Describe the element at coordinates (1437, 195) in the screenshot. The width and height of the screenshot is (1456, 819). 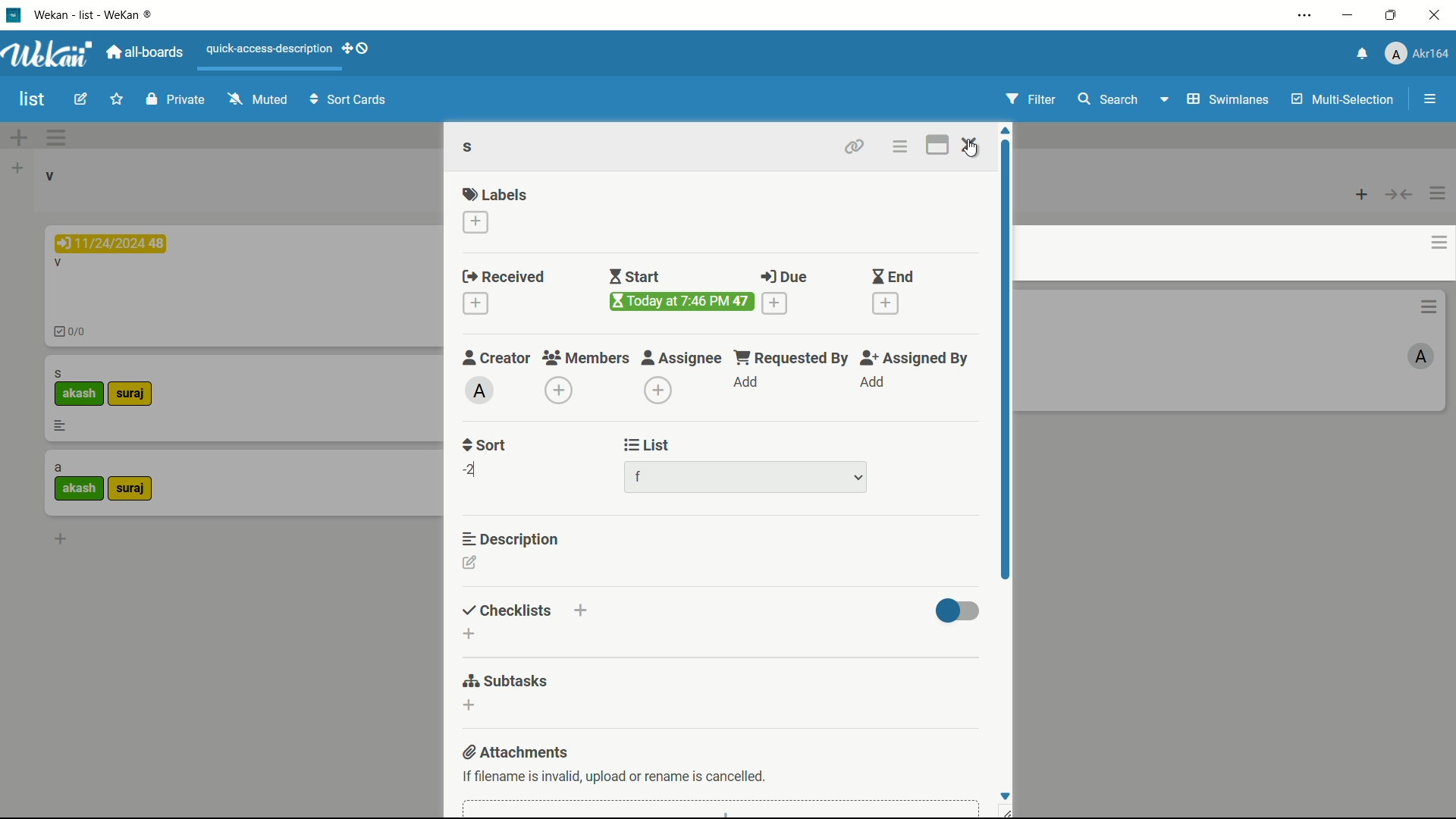
I see `list actions` at that location.